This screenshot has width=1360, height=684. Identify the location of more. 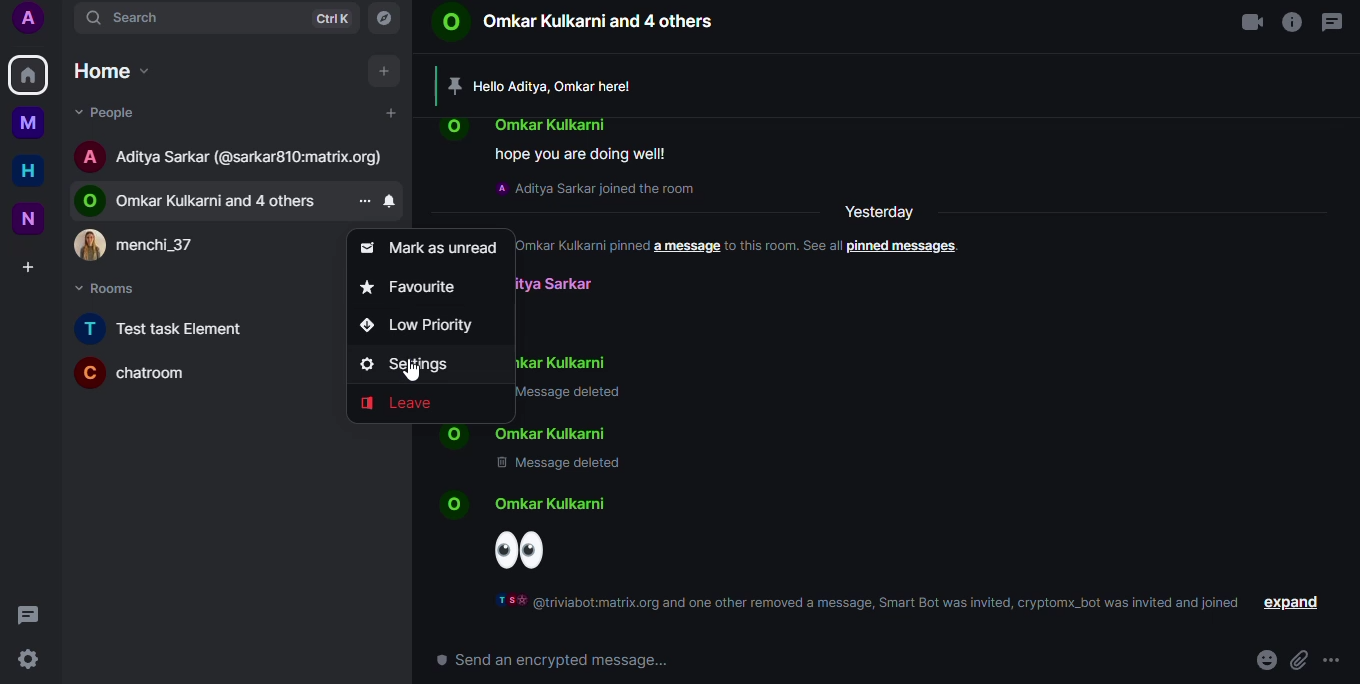
(364, 201).